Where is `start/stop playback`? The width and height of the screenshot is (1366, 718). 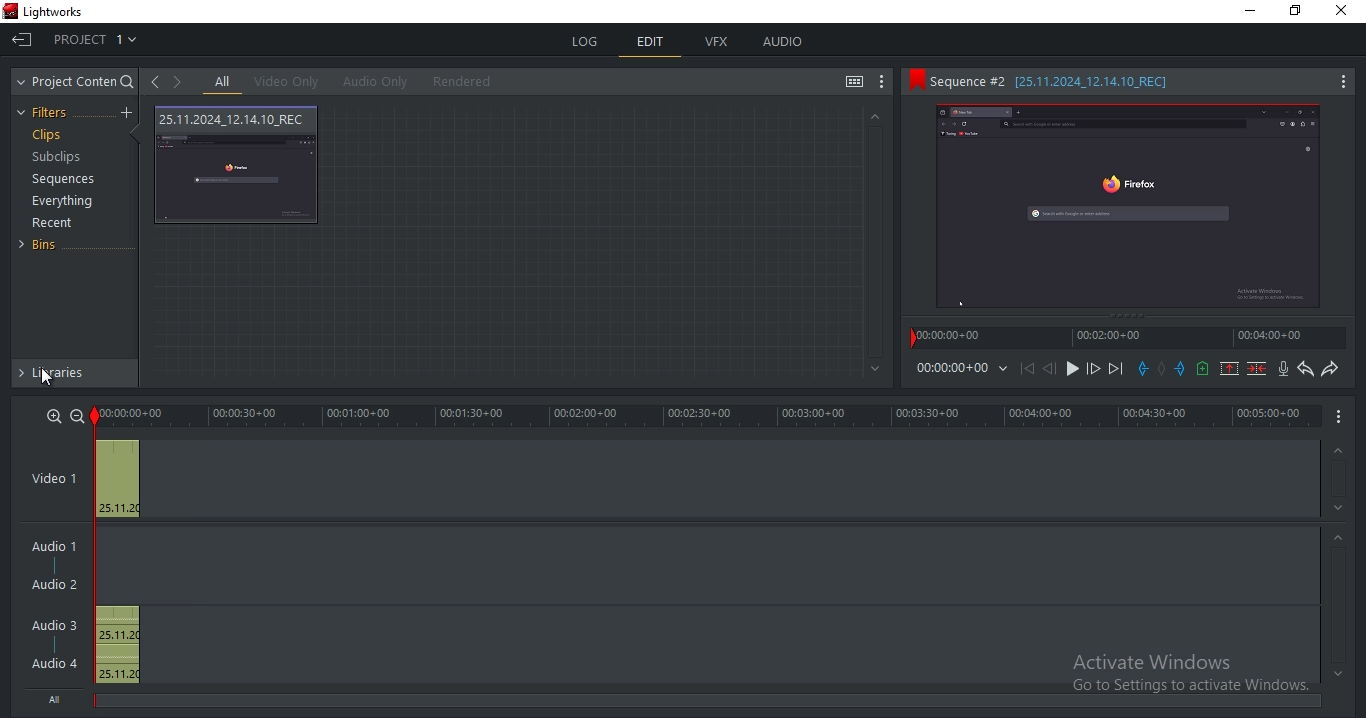 start/stop playback is located at coordinates (1073, 369).